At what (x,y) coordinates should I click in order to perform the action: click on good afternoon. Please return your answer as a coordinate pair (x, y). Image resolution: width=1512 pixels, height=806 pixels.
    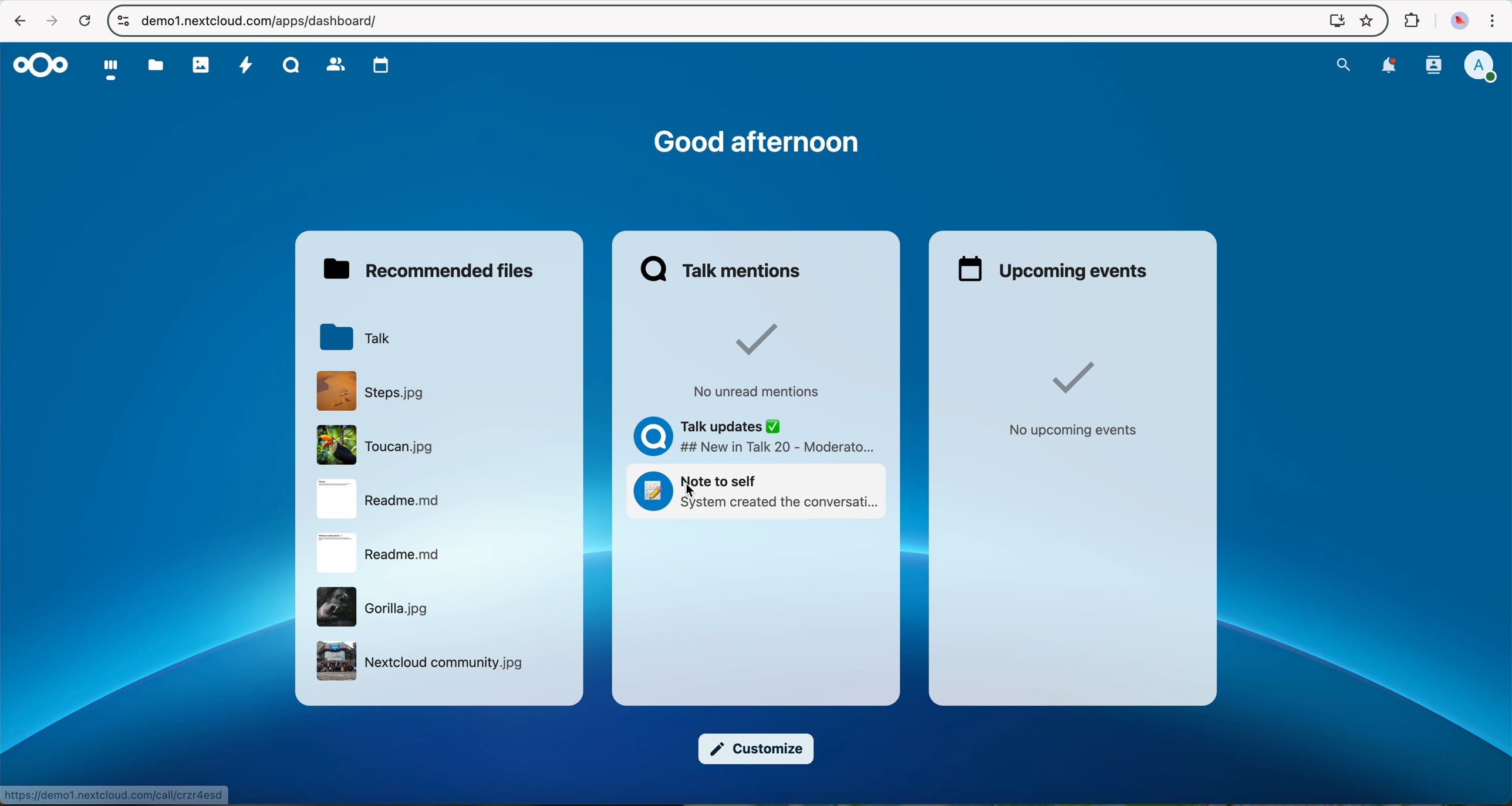
    Looking at the image, I should click on (757, 141).